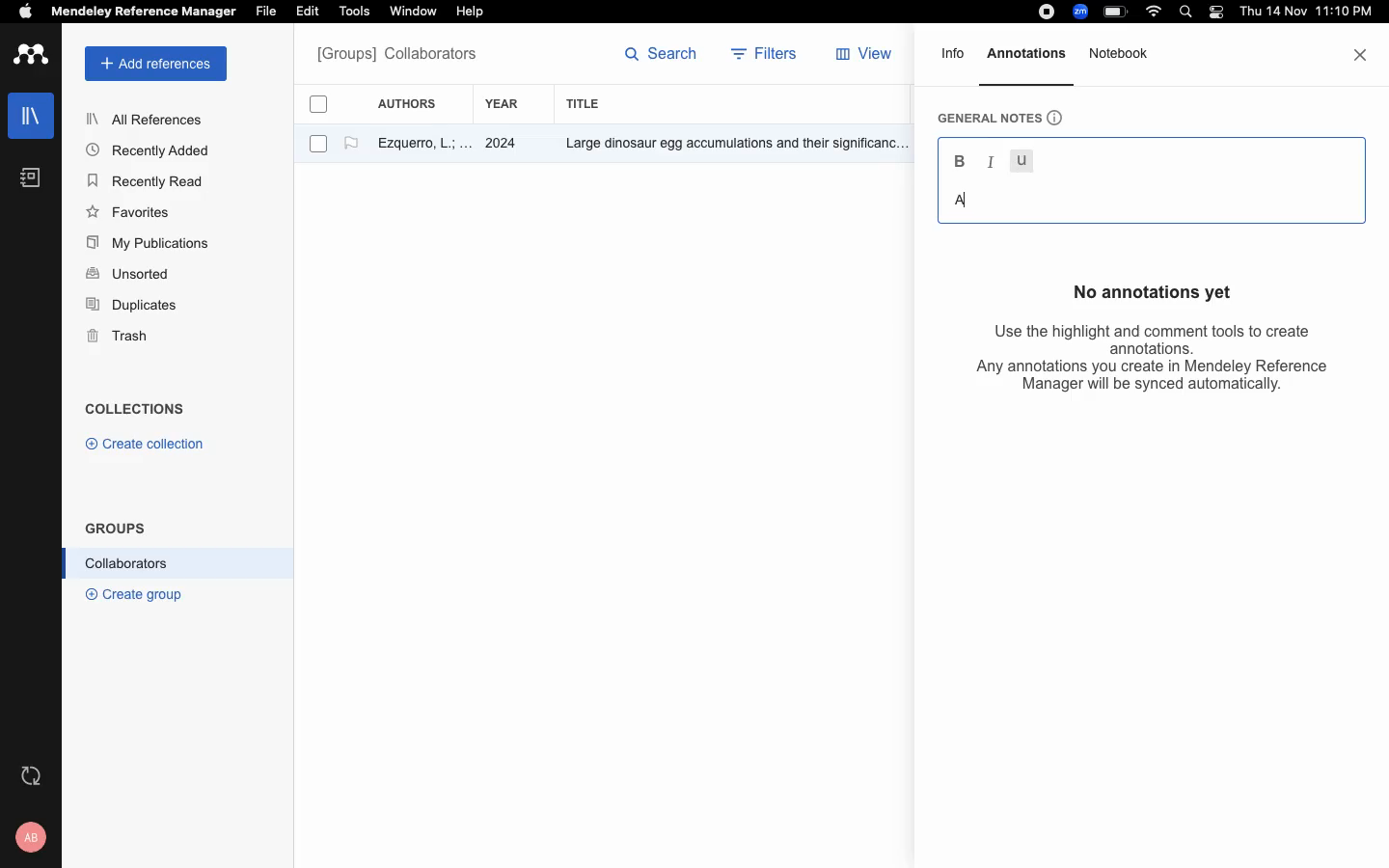 The height and width of the screenshot is (868, 1389). What do you see at coordinates (1302, 14) in the screenshot?
I see `date and time` at bounding box center [1302, 14].